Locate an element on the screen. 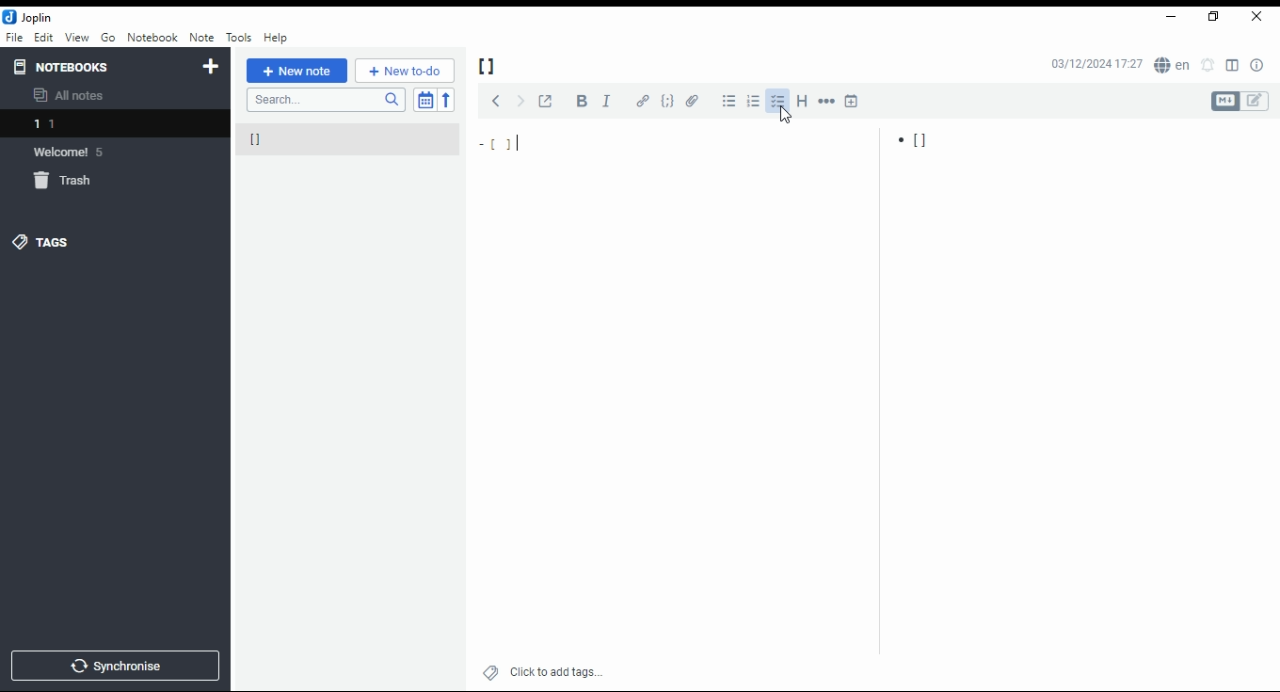  note properties is located at coordinates (1257, 65).